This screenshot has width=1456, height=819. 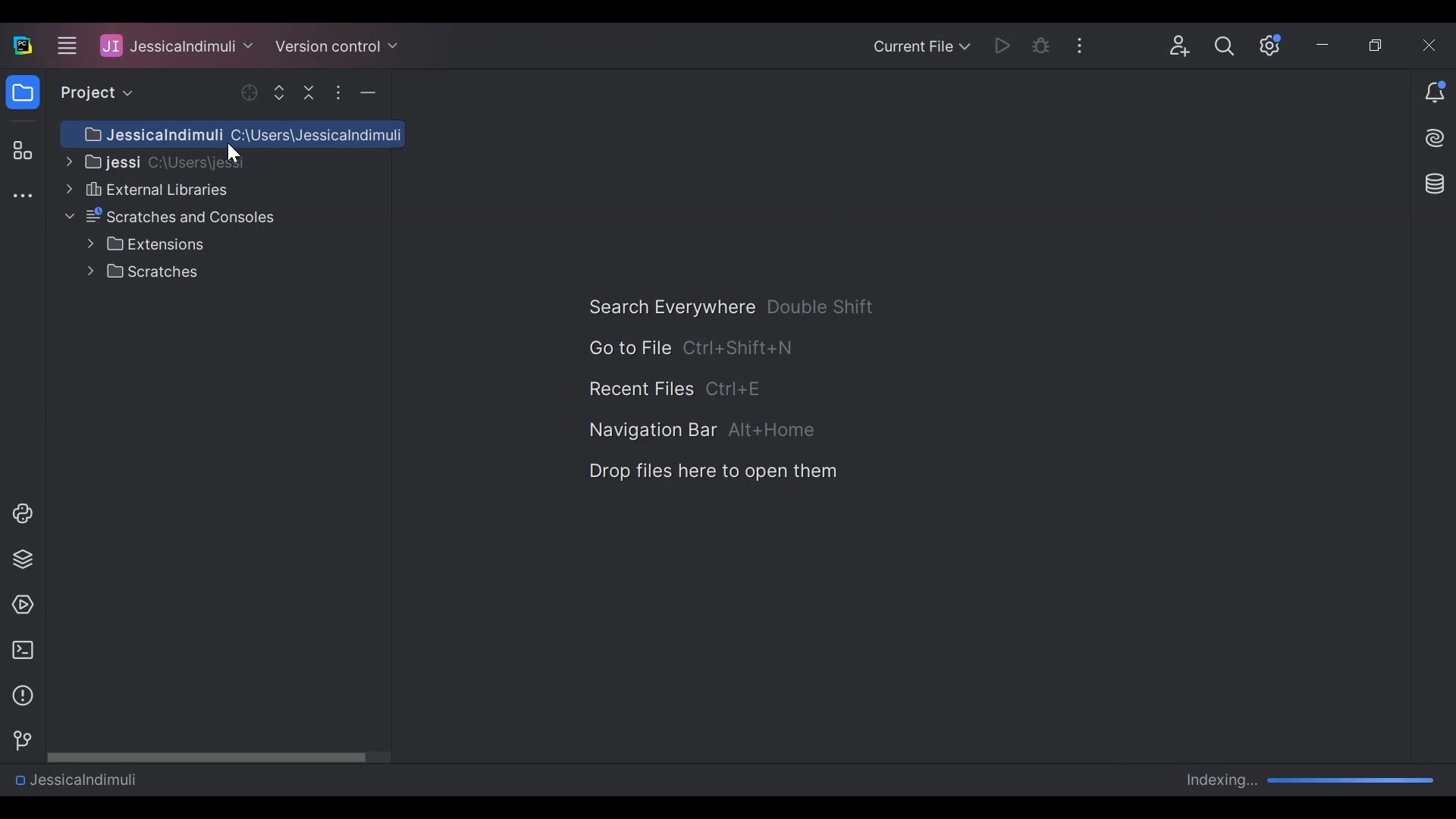 What do you see at coordinates (22, 513) in the screenshot?
I see `python` at bounding box center [22, 513].